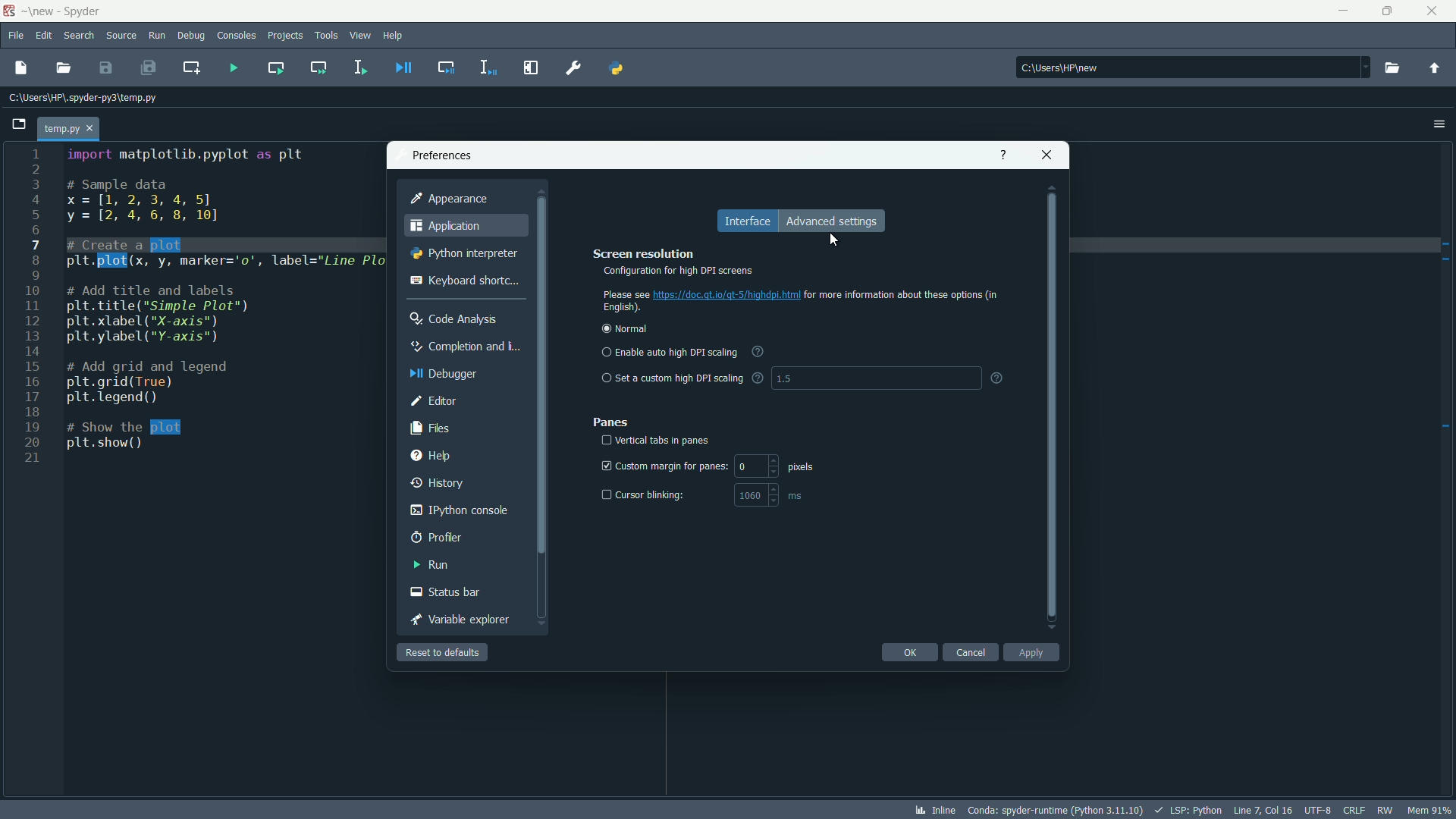 Image resolution: width=1456 pixels, height=819 pixels. Describe the element at coordinates (1264, 810) in the screenshot. I see `cursor position` at that location.